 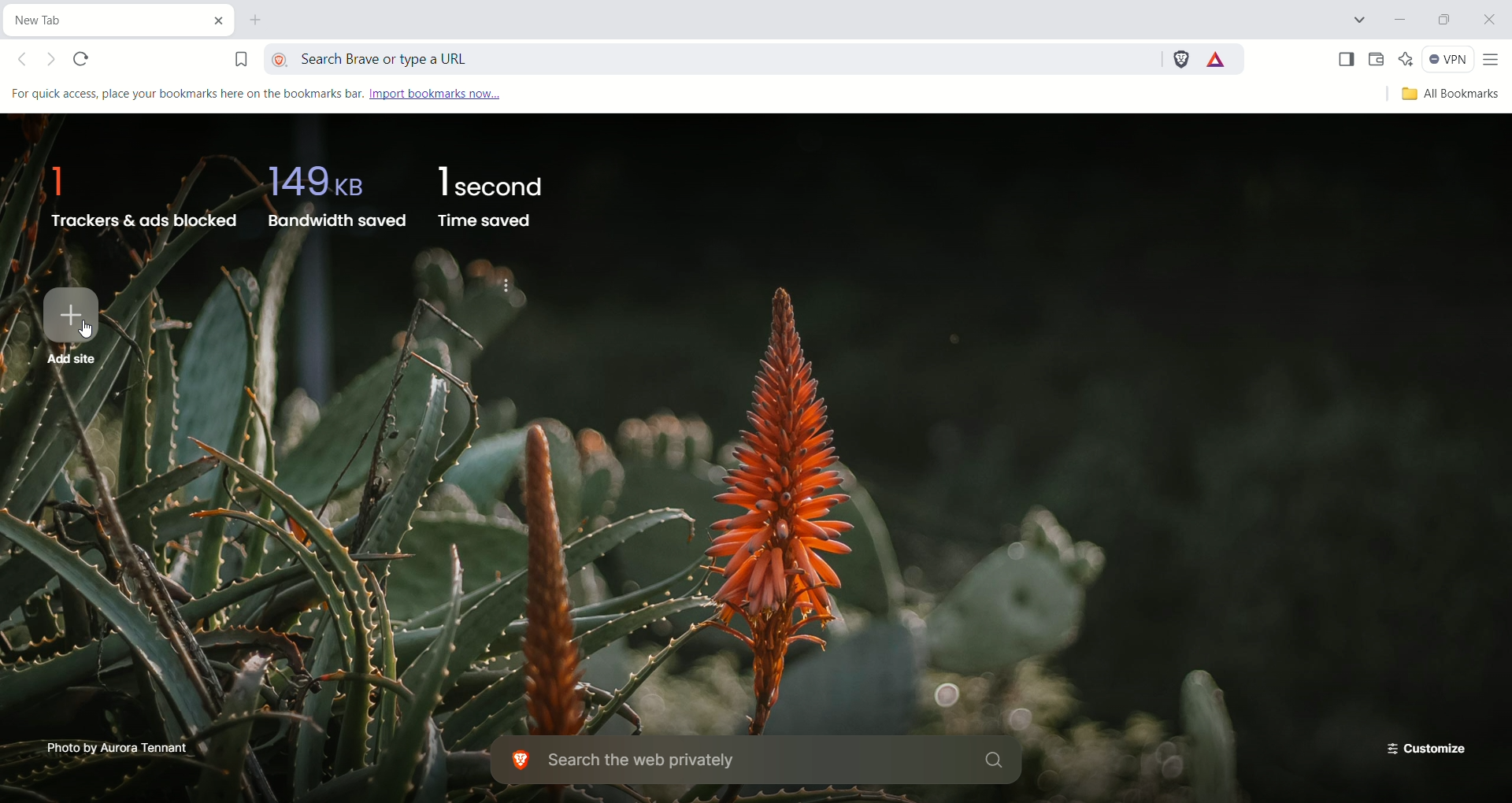 What do you see at coordinates (1344, 60) in the screenshot?
I see `show sidebar` at bounding box center [1344, 60].